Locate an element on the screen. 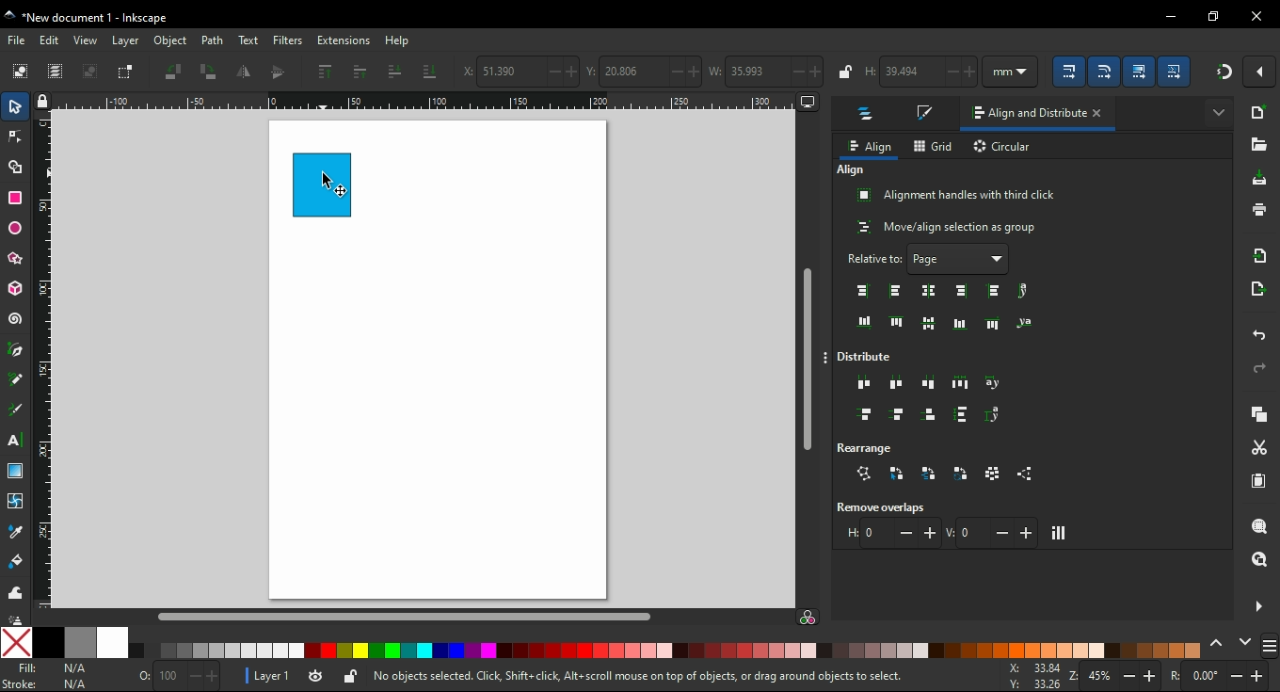 The width and height of the screenshot is (1280, 692). fill color is located at coordinates (50, 668).